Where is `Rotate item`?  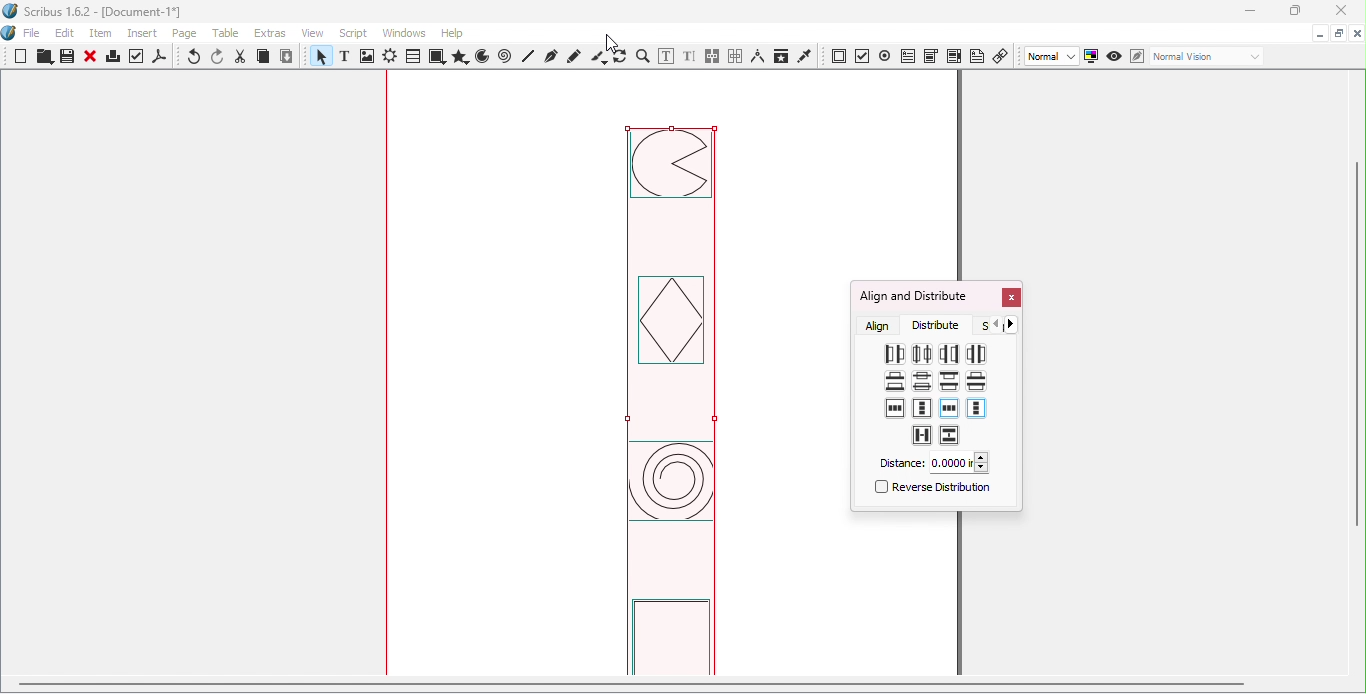 Rotate item is located at coordinates (620, 56).